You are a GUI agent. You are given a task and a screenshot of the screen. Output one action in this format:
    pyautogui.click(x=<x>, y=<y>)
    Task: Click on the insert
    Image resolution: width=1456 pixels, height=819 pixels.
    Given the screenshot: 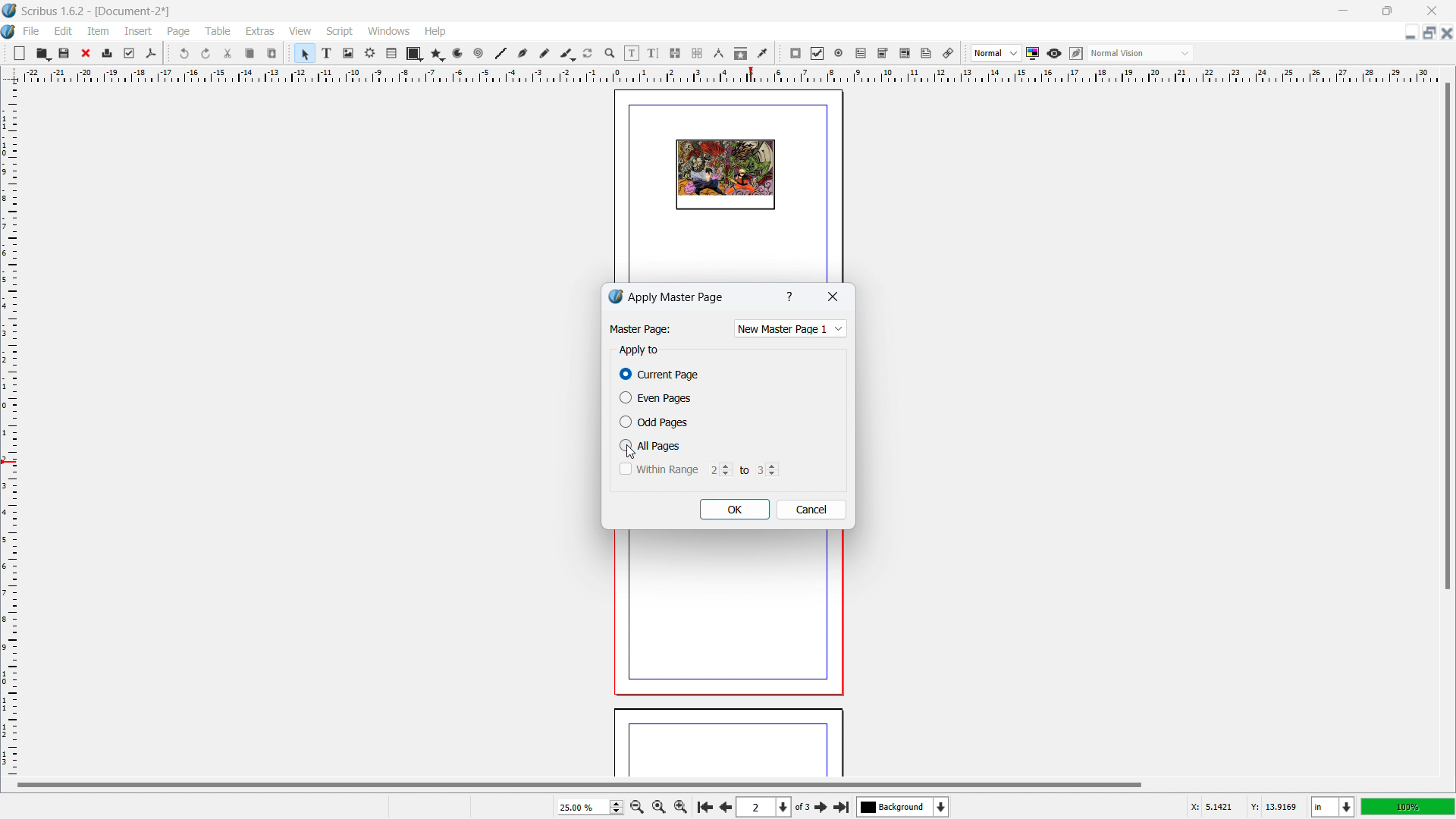 What is the action you would take?
    pyautogui.click(x=140, y=31)
    